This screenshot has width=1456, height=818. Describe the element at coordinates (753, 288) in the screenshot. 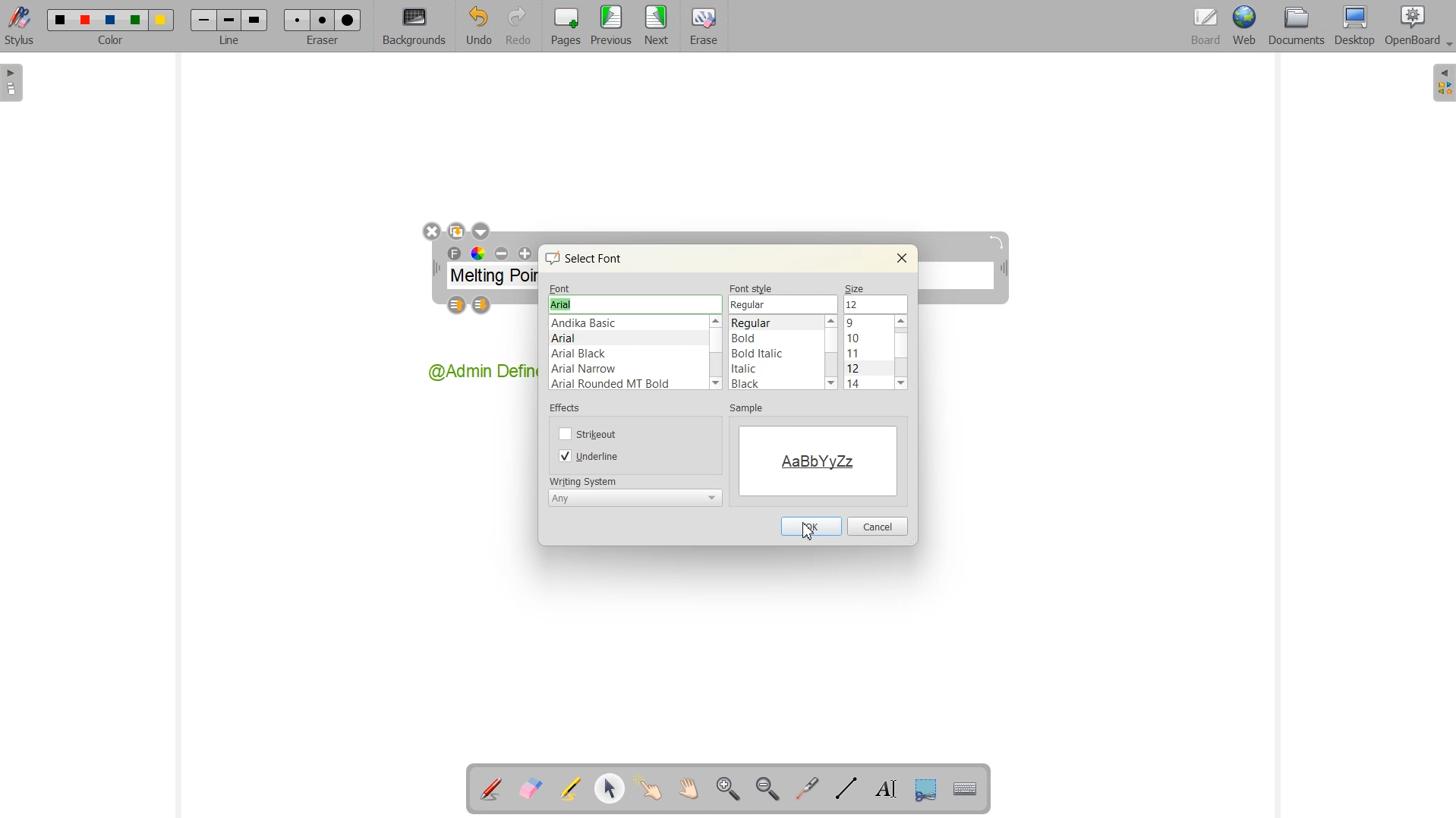

I see `font style` at that location.